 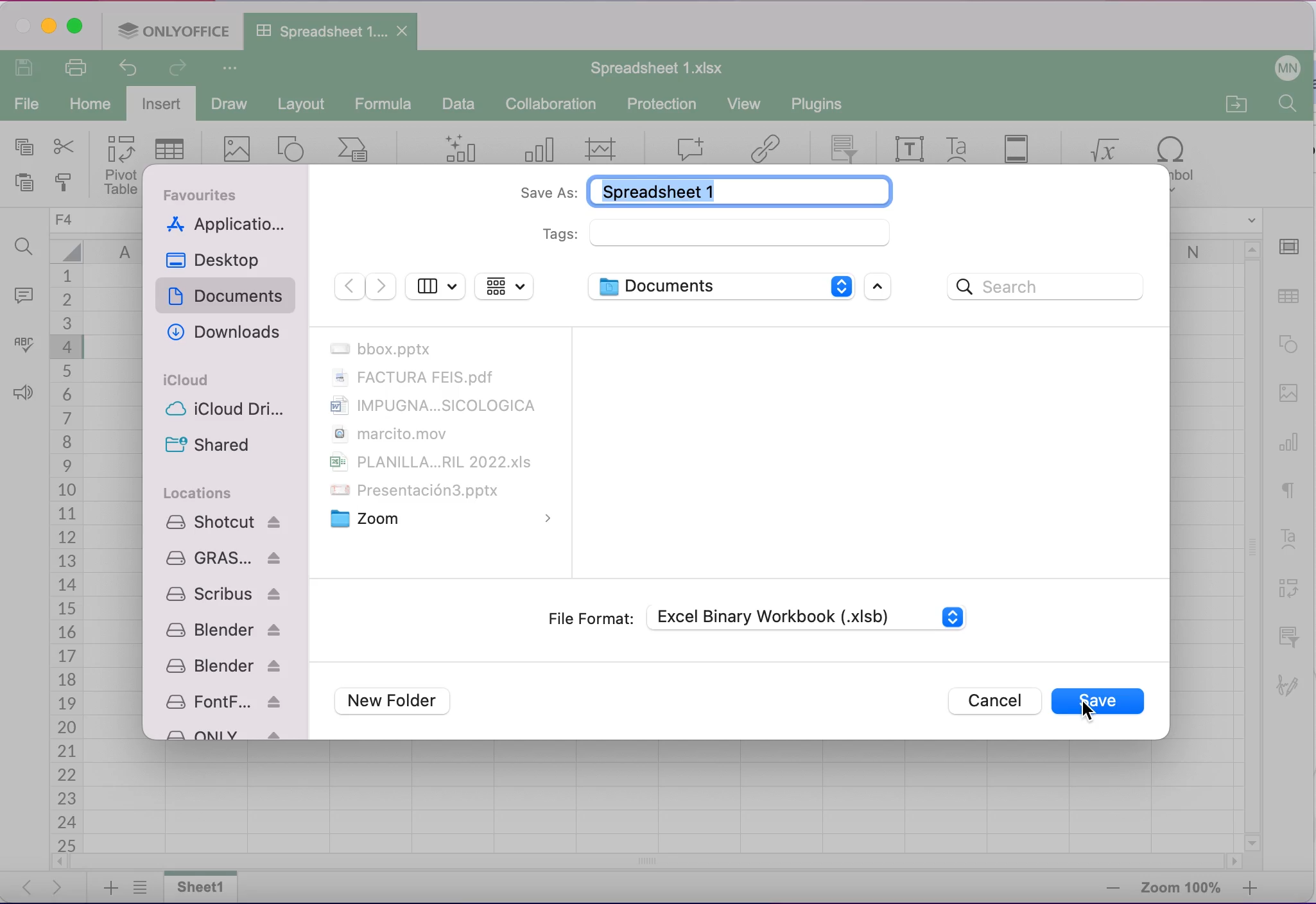 I want to click on icloud, so click(x=188, y=380).